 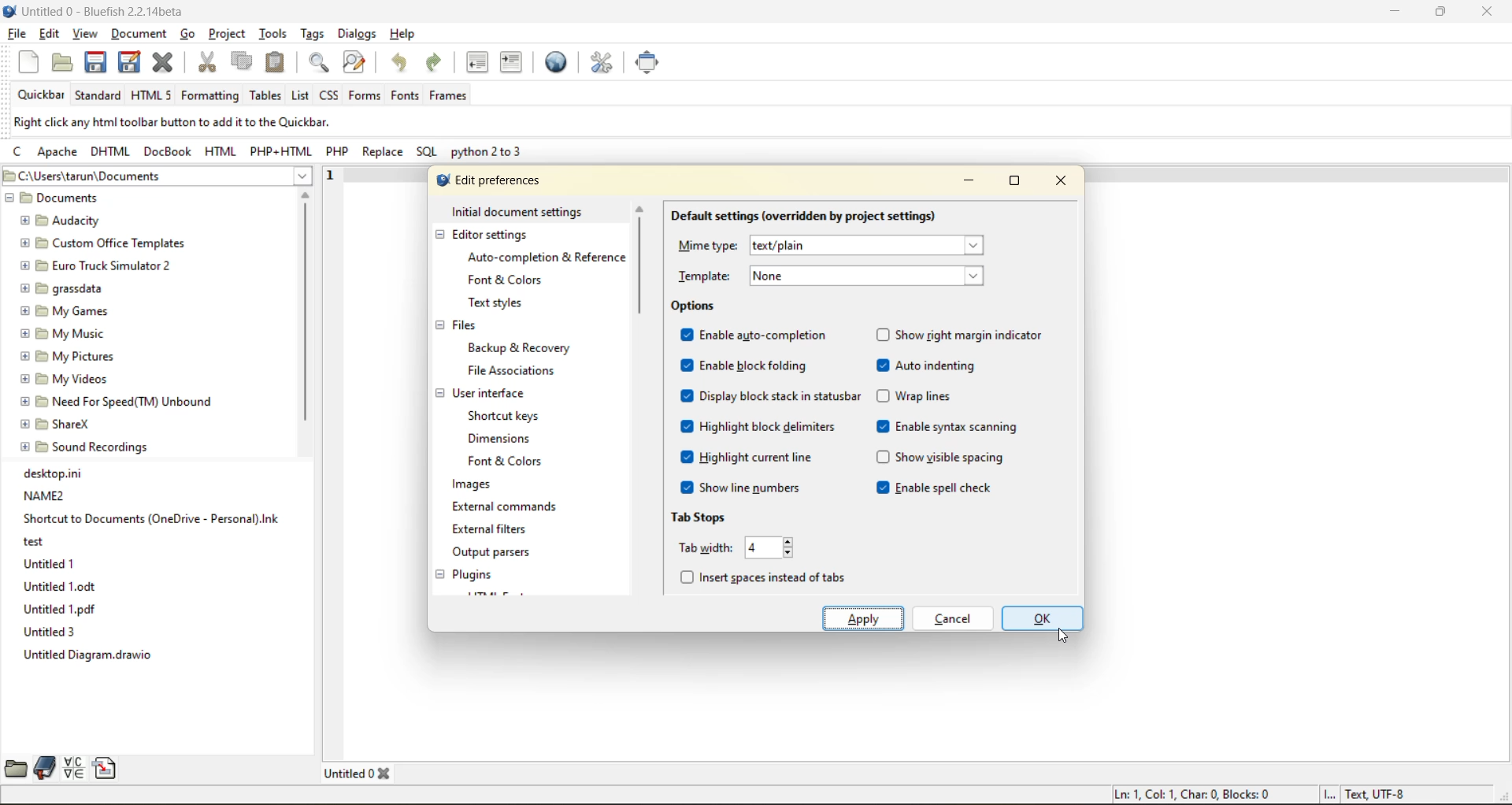 I want to click on html, so click(x=220, y=150).